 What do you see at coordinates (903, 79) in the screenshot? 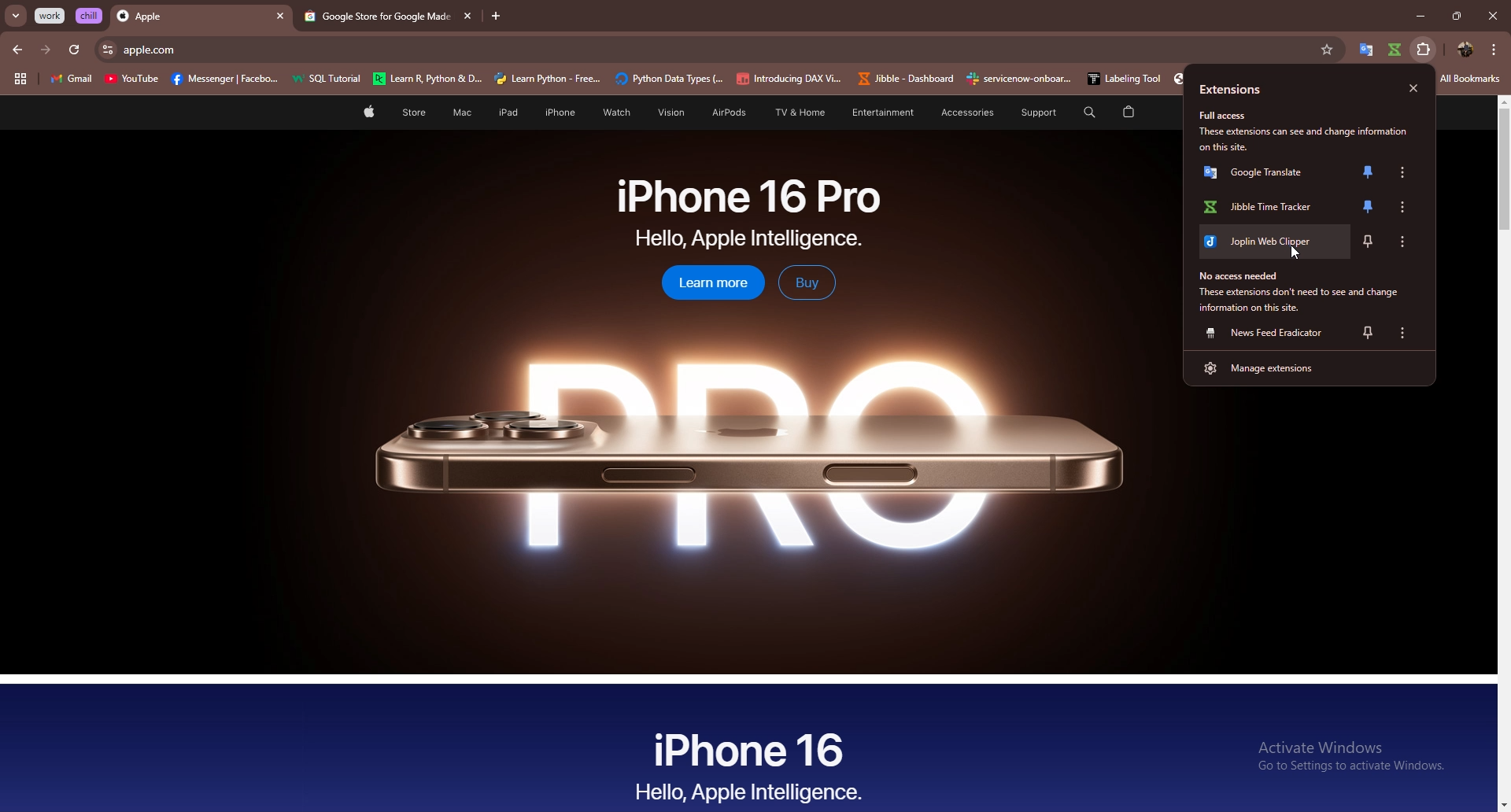
I see `Jibble - Dashboard` at bounding box center [903, 79].